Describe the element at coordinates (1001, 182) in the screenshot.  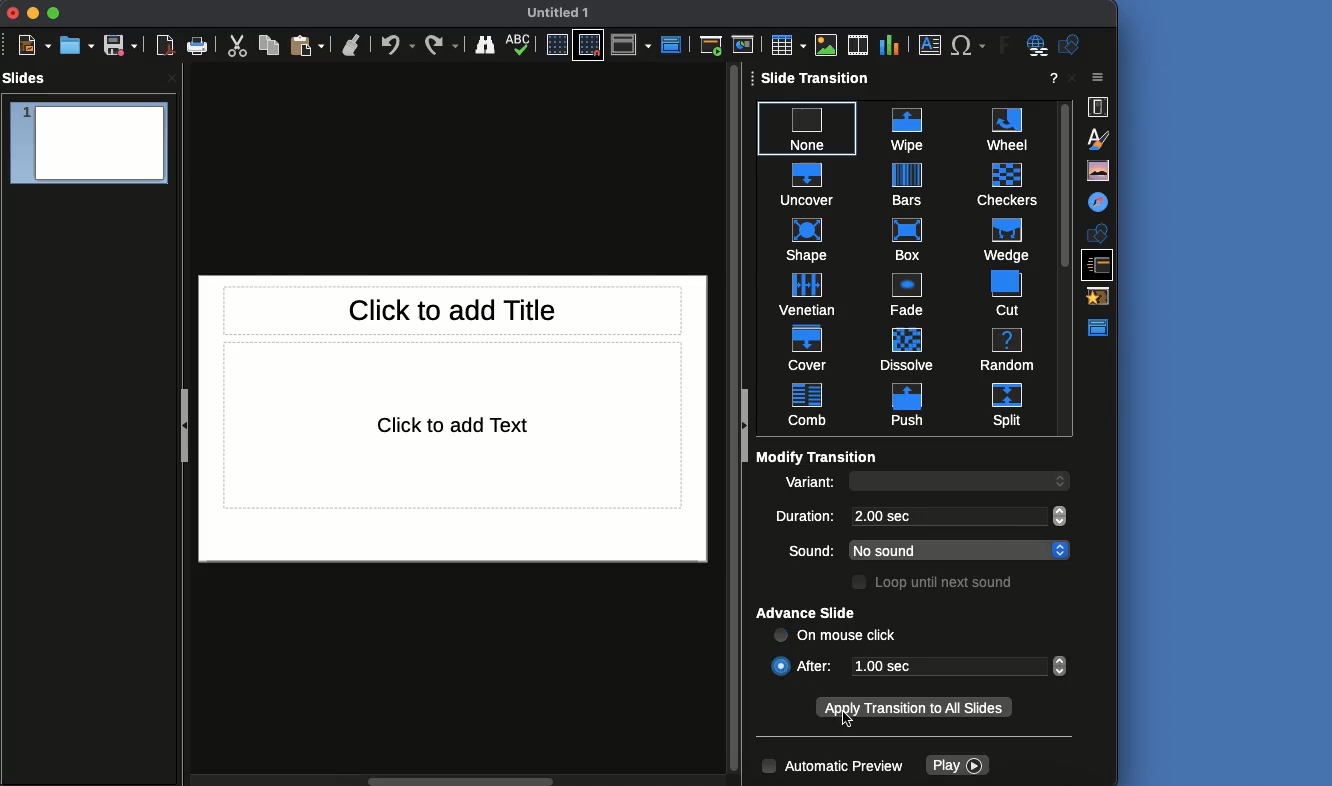
I see `checkers` at that location.